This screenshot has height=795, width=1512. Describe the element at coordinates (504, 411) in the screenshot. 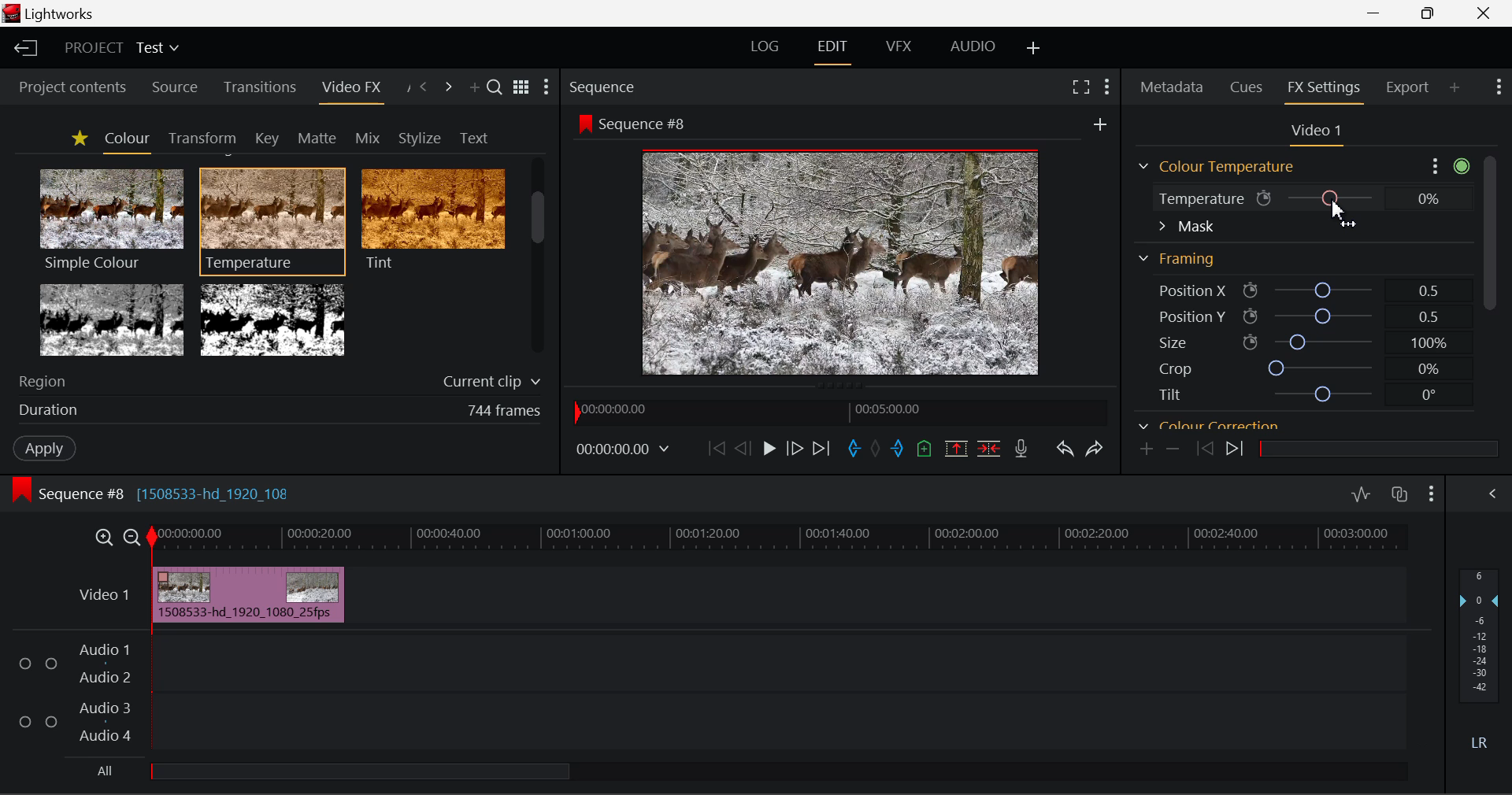

I see `744 frames` at that location.